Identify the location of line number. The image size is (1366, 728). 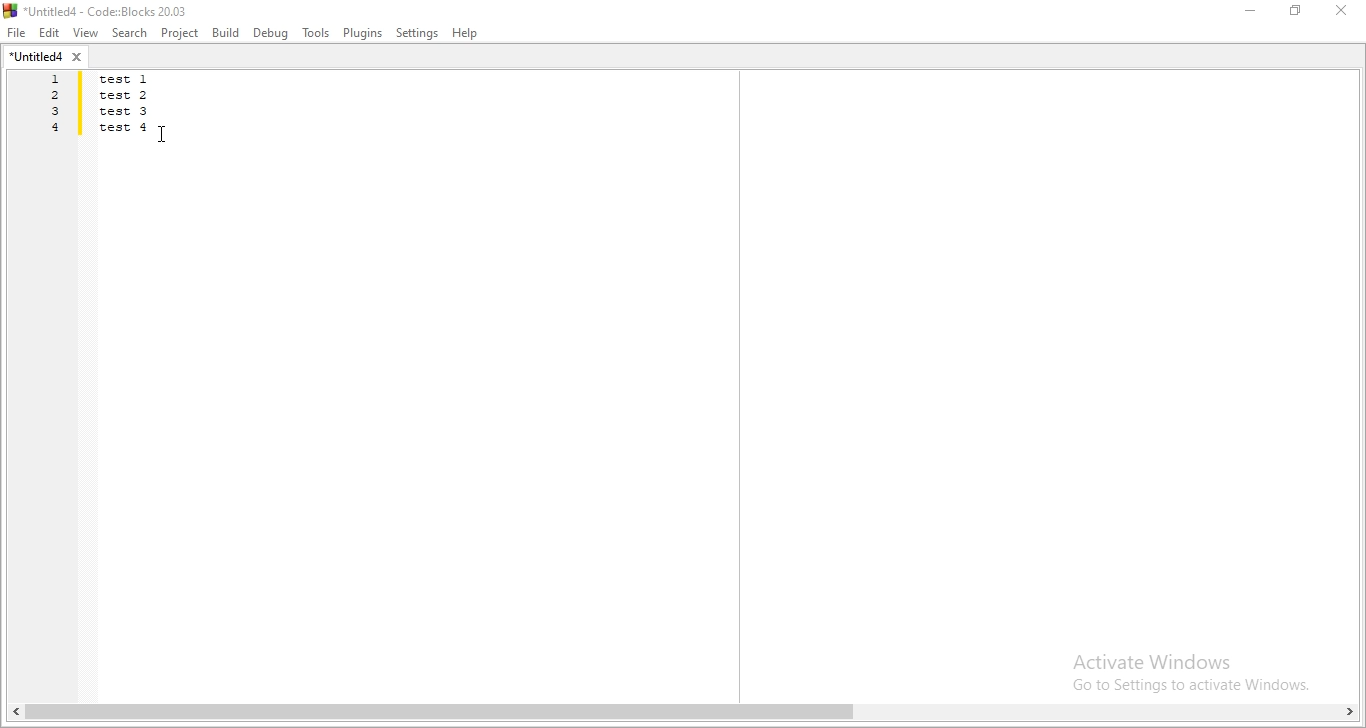
(54, 107).